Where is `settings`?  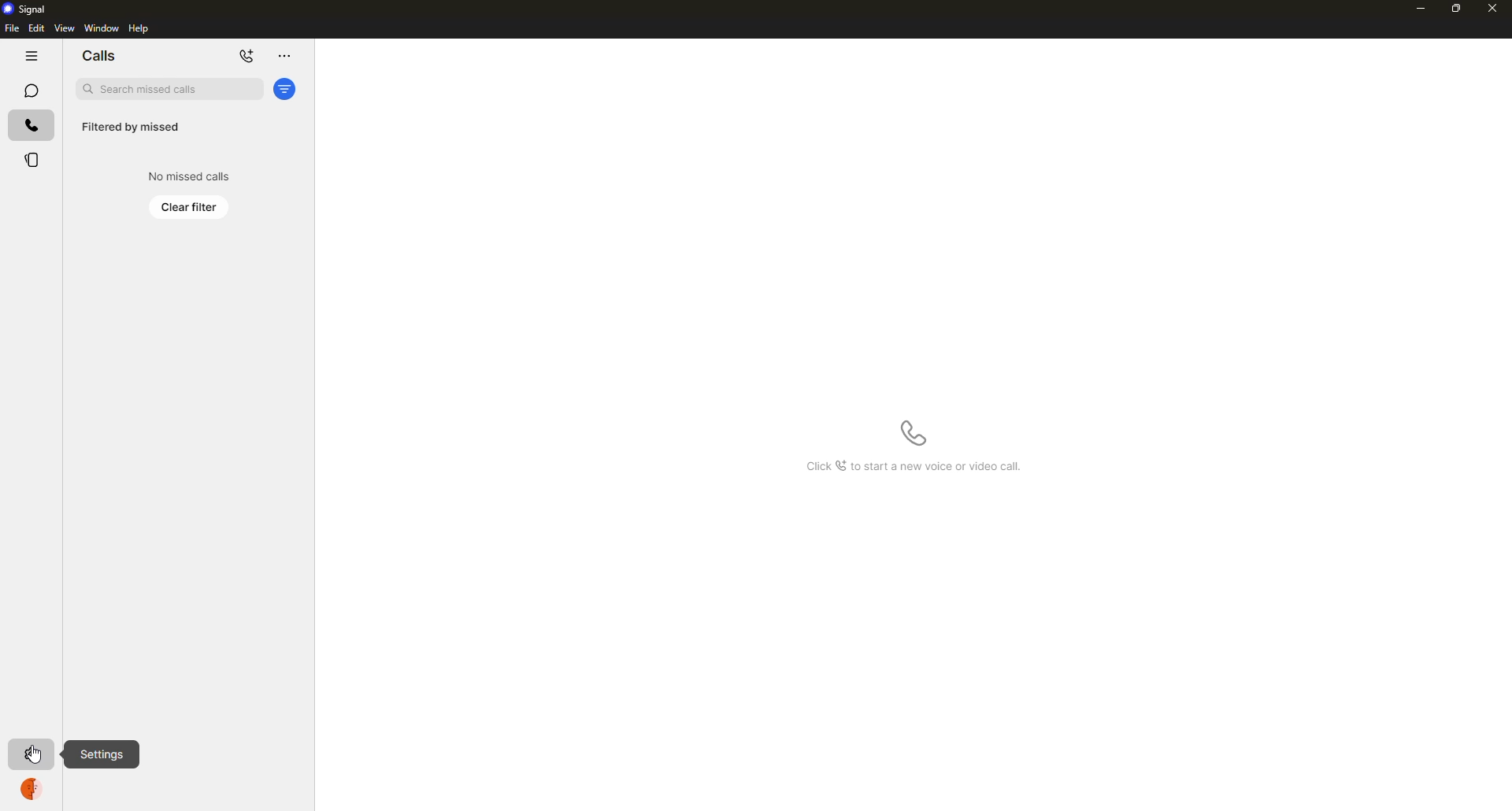
settings is located at coordinates (34, 753).